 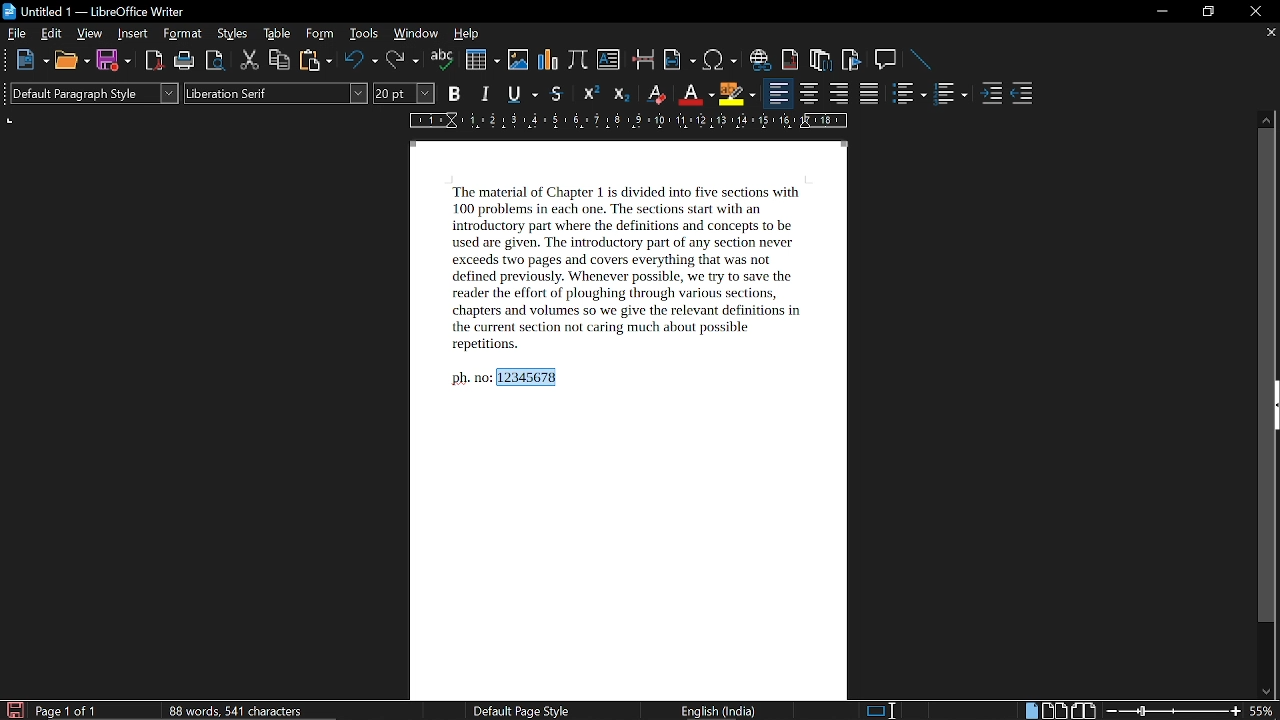 I want to click on table, so click(x=278, y=35).